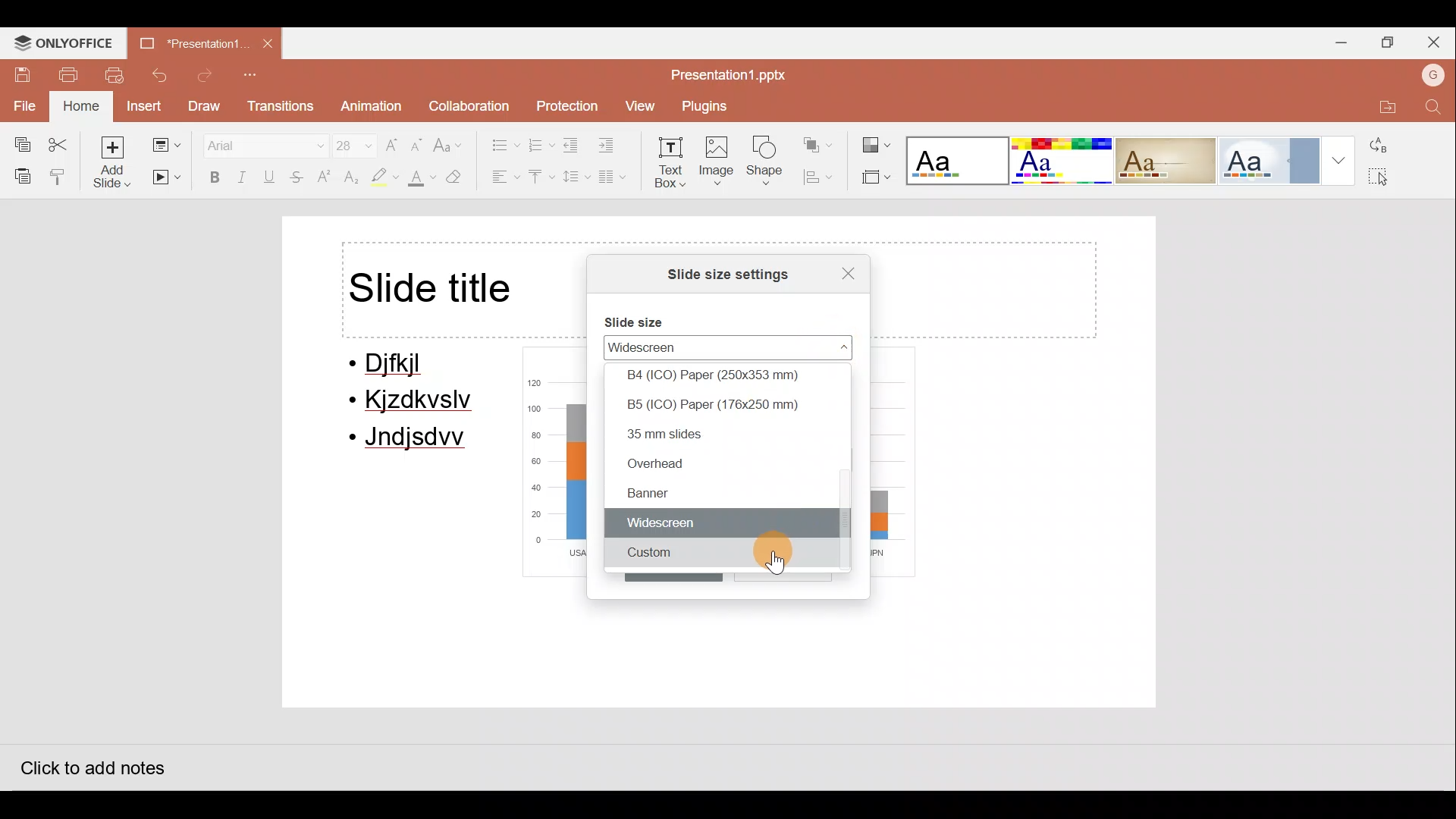  Describe the element at coordinates (381, 178) in the screenshot. I see `Highlight color` at that location.